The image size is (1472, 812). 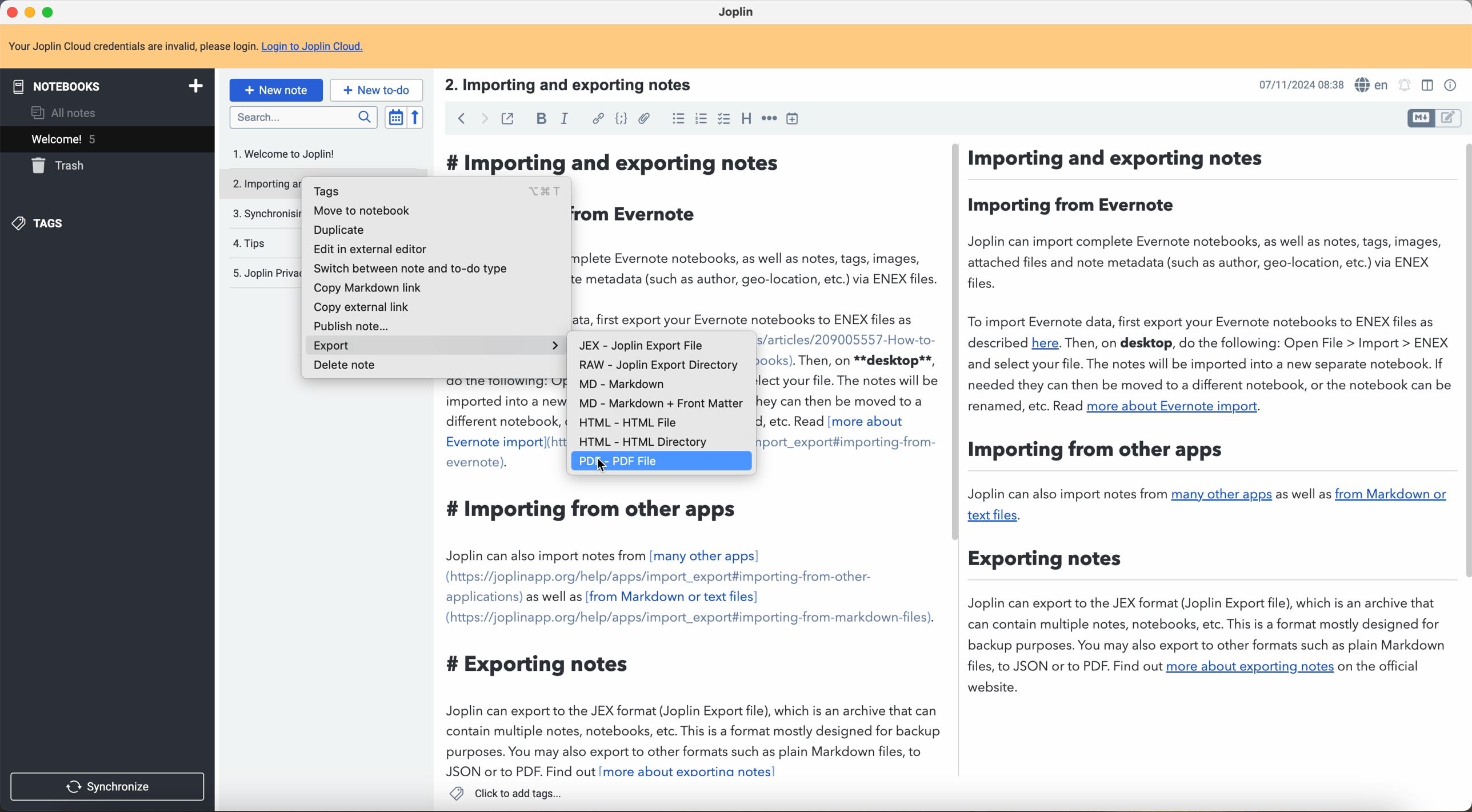 I want to click on copy markdown link, so click(x=369, y=288).